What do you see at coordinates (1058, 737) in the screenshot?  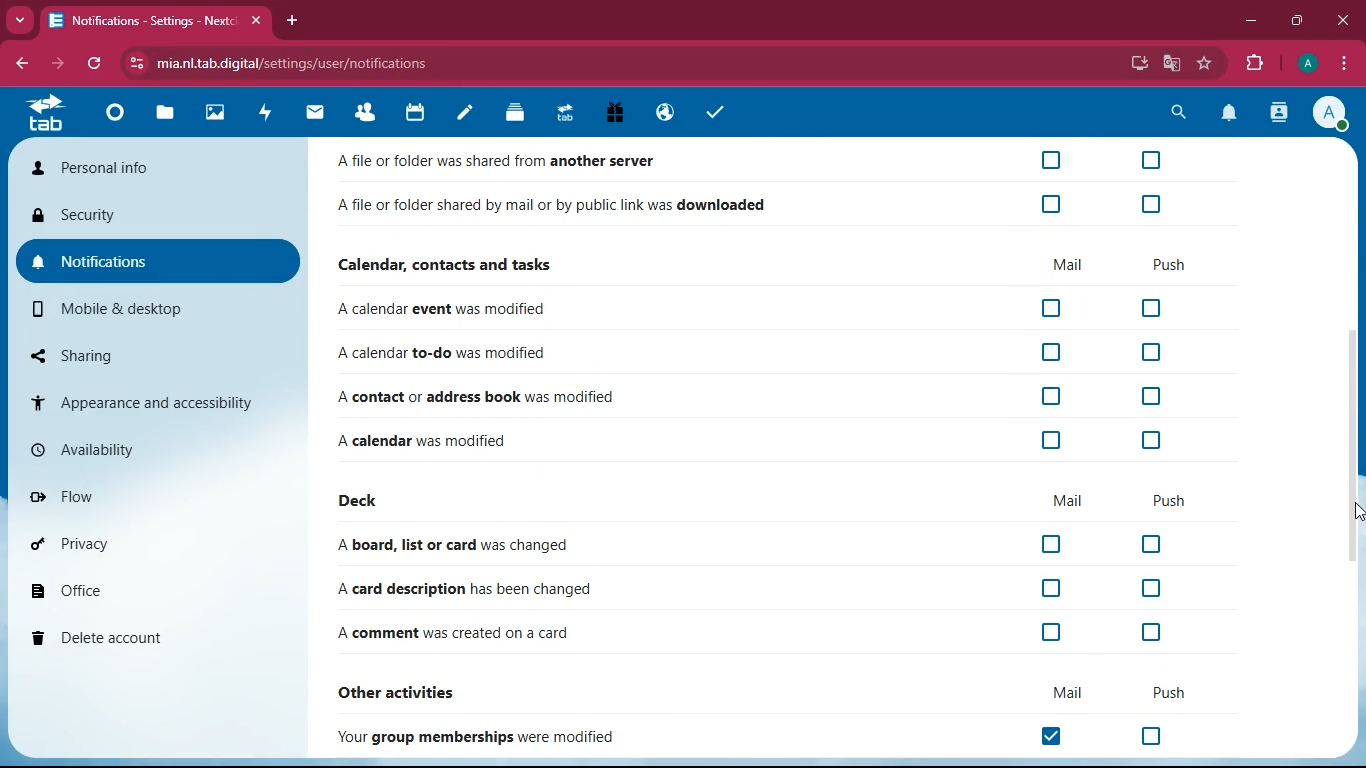 I see `on` at bounding box center [1058, 737].